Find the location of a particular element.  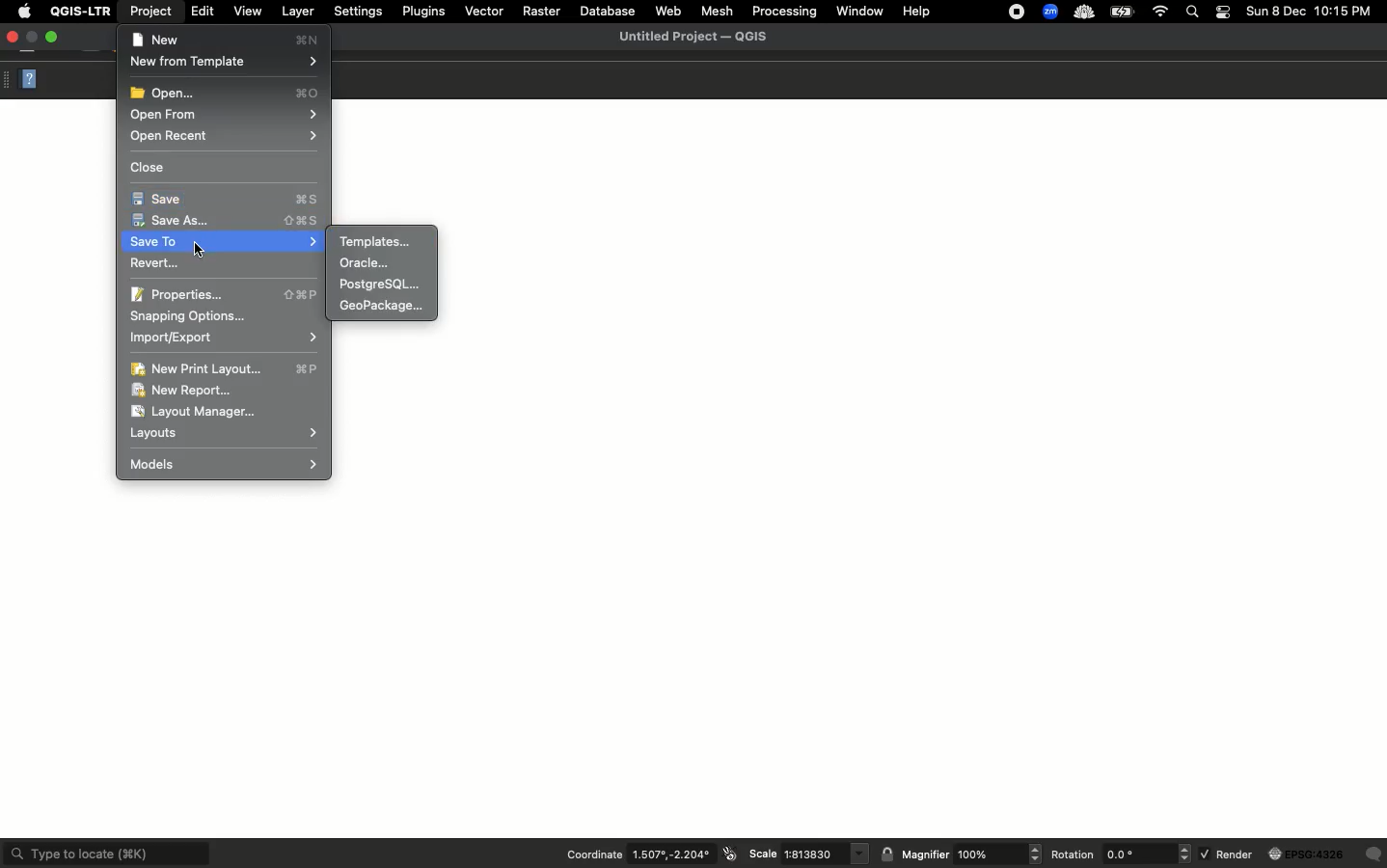

Untitled is located at coordinates (693, 38).